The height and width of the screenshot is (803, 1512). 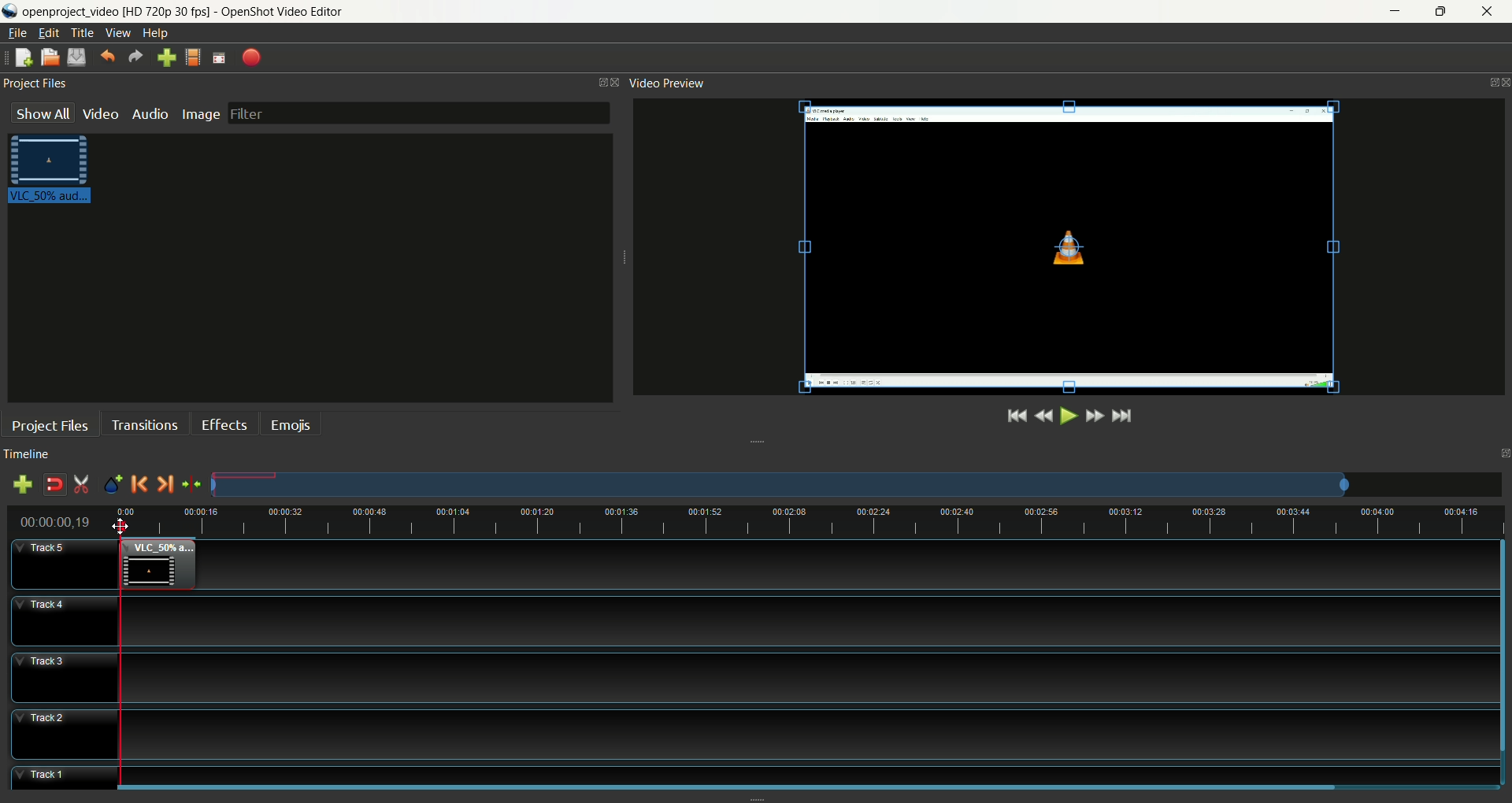 I want to click on project files, so click(x=51, y=426).